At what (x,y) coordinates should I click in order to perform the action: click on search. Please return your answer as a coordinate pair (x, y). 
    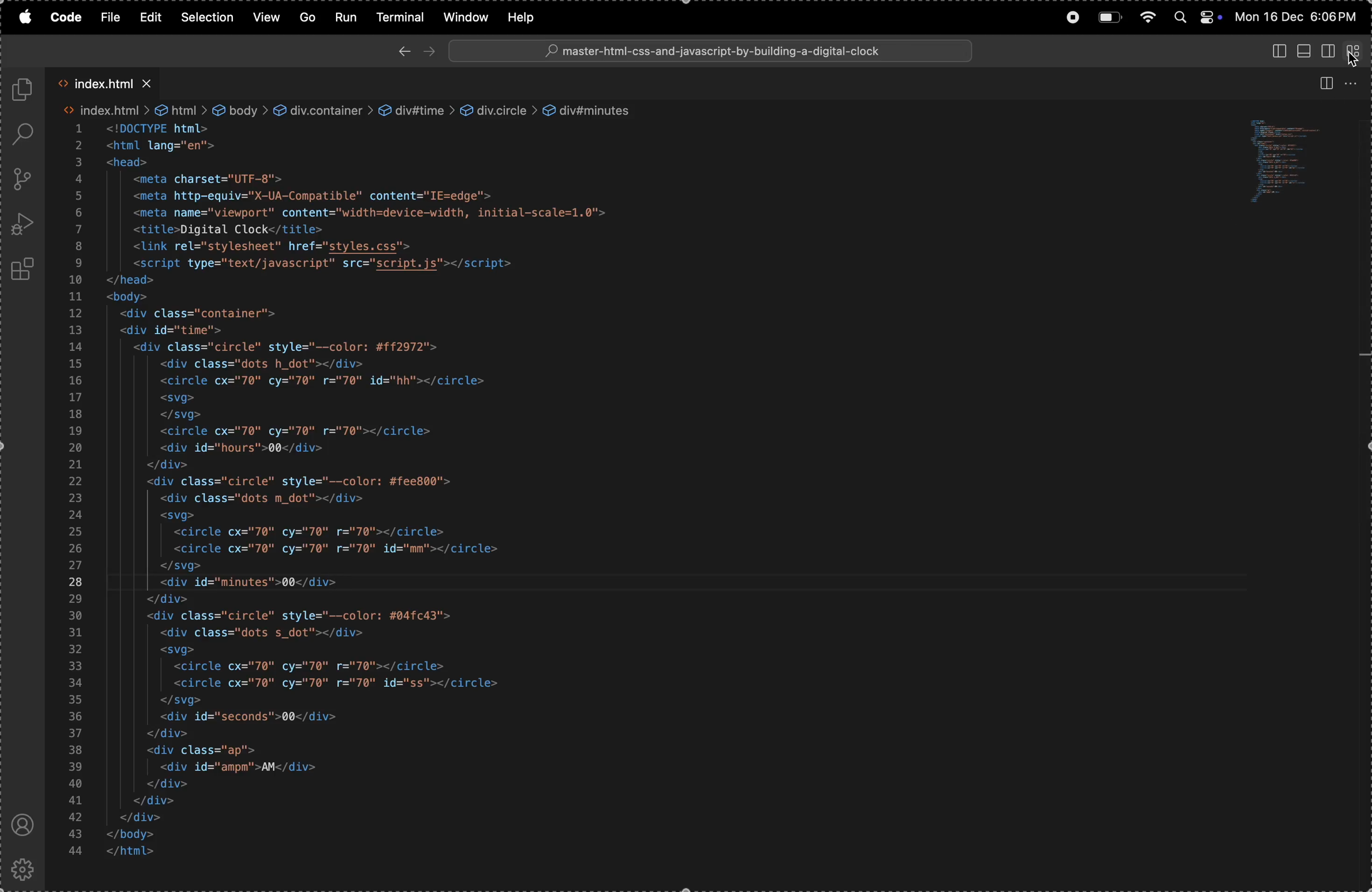
    Looking at the image, I should click on (27, 134).